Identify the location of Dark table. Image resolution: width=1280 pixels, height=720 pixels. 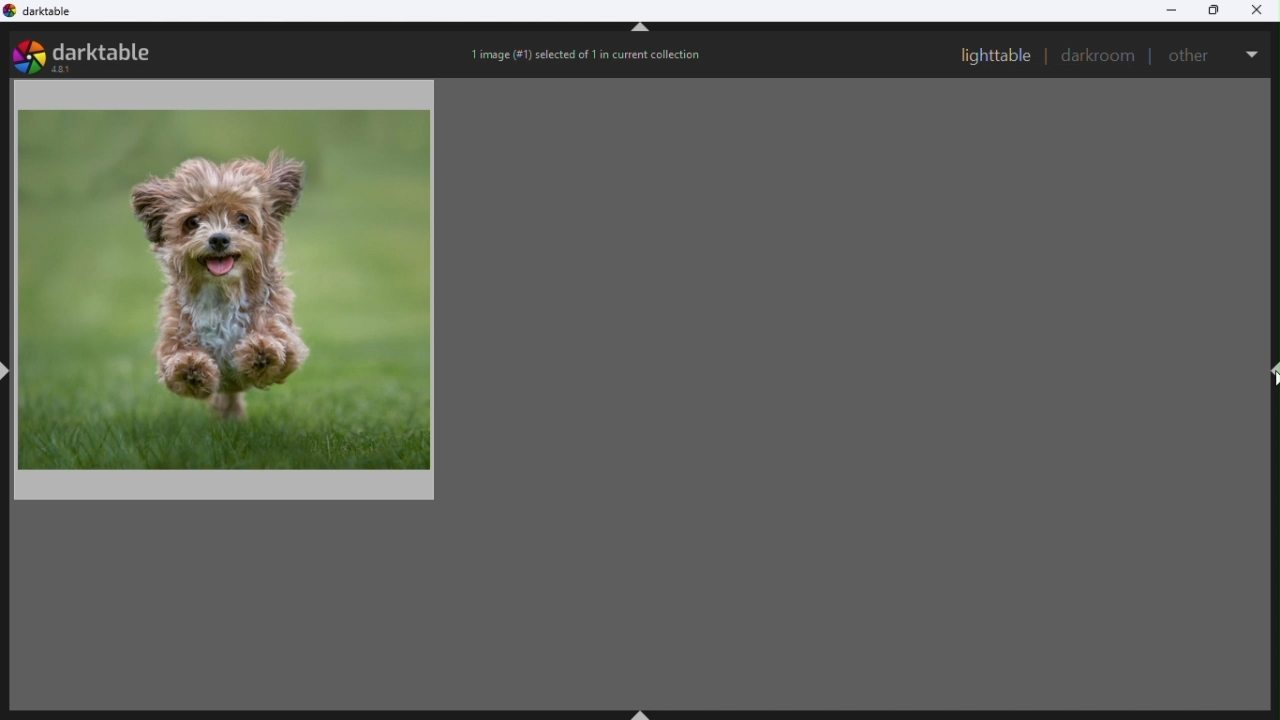
(50, 15).